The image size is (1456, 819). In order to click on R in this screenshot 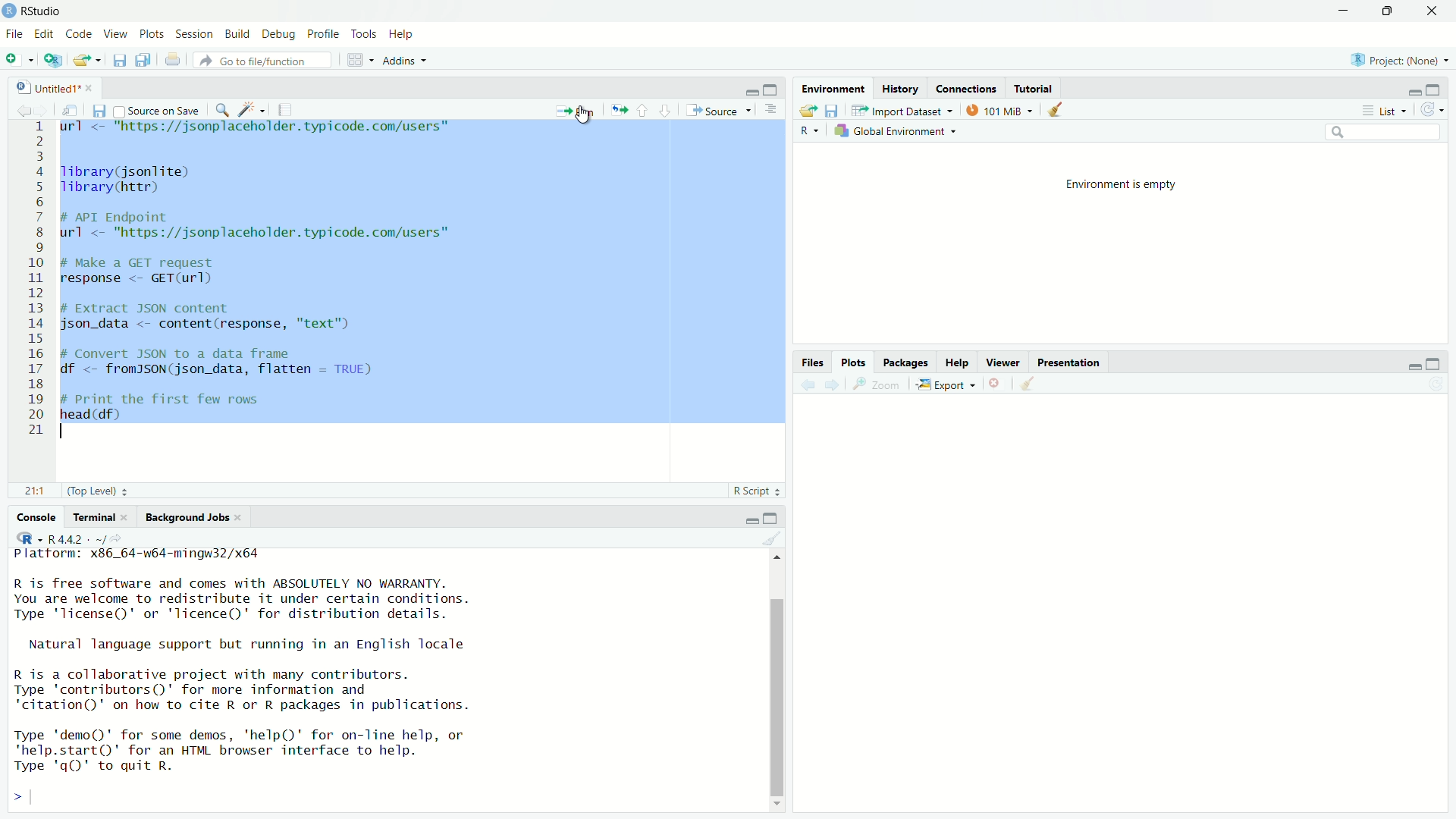, I will do `click(810, 131)`.